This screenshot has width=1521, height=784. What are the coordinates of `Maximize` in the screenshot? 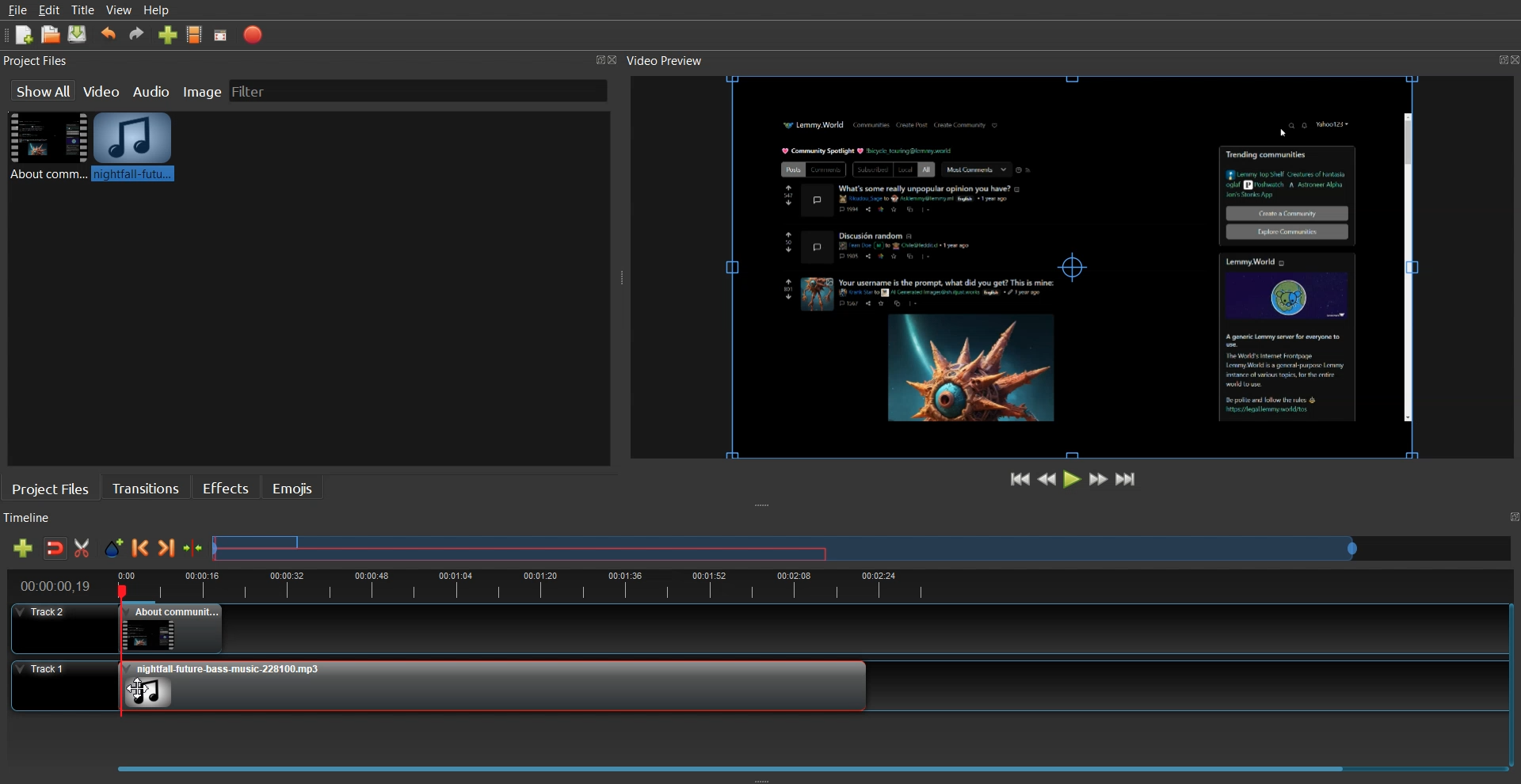 It's located at (1492, 57).